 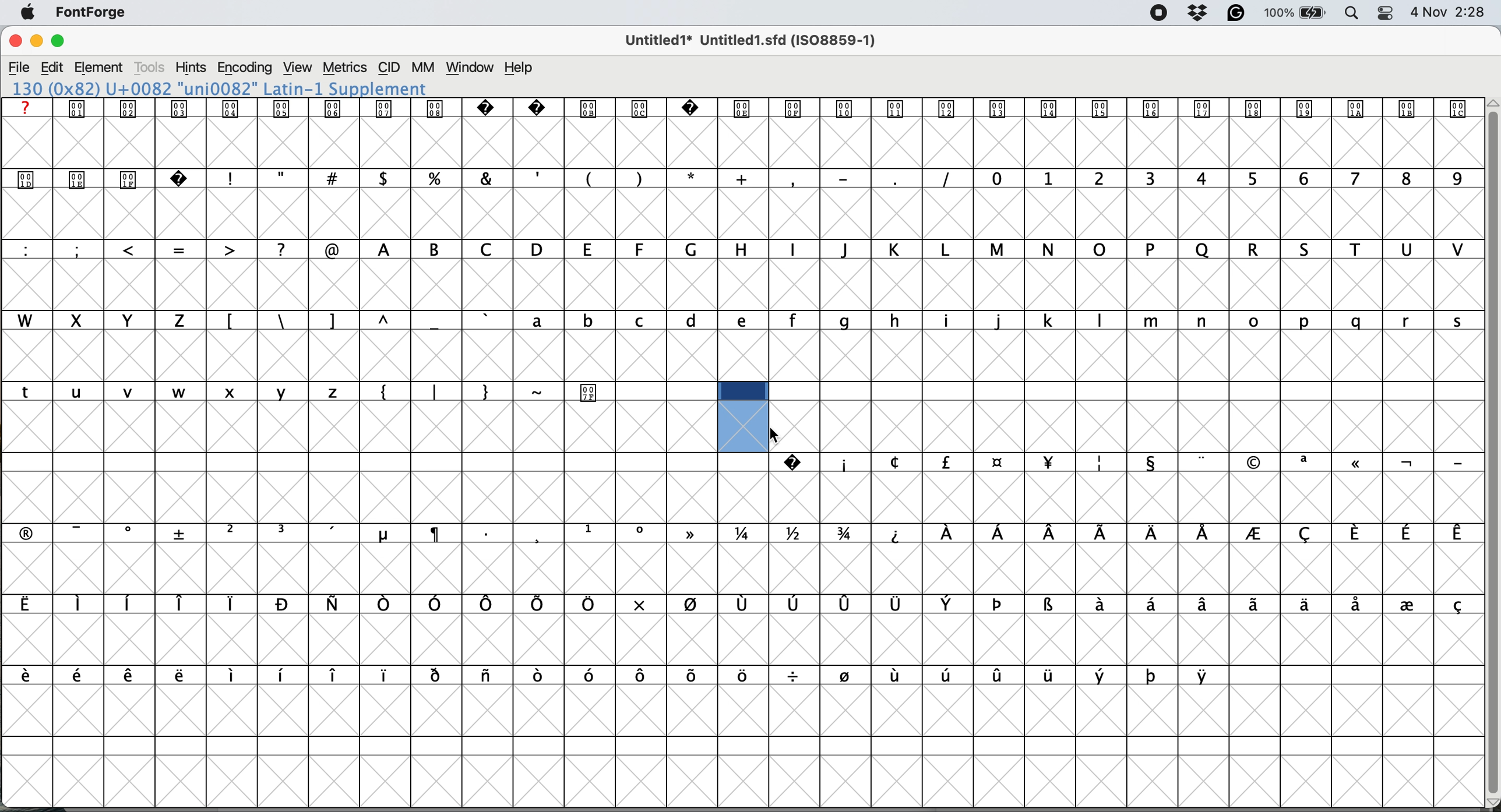 I want to click on Punctuation marks, mathemaical, currency symbols and grouping symbol Glyph, so click(x=361, y=178).